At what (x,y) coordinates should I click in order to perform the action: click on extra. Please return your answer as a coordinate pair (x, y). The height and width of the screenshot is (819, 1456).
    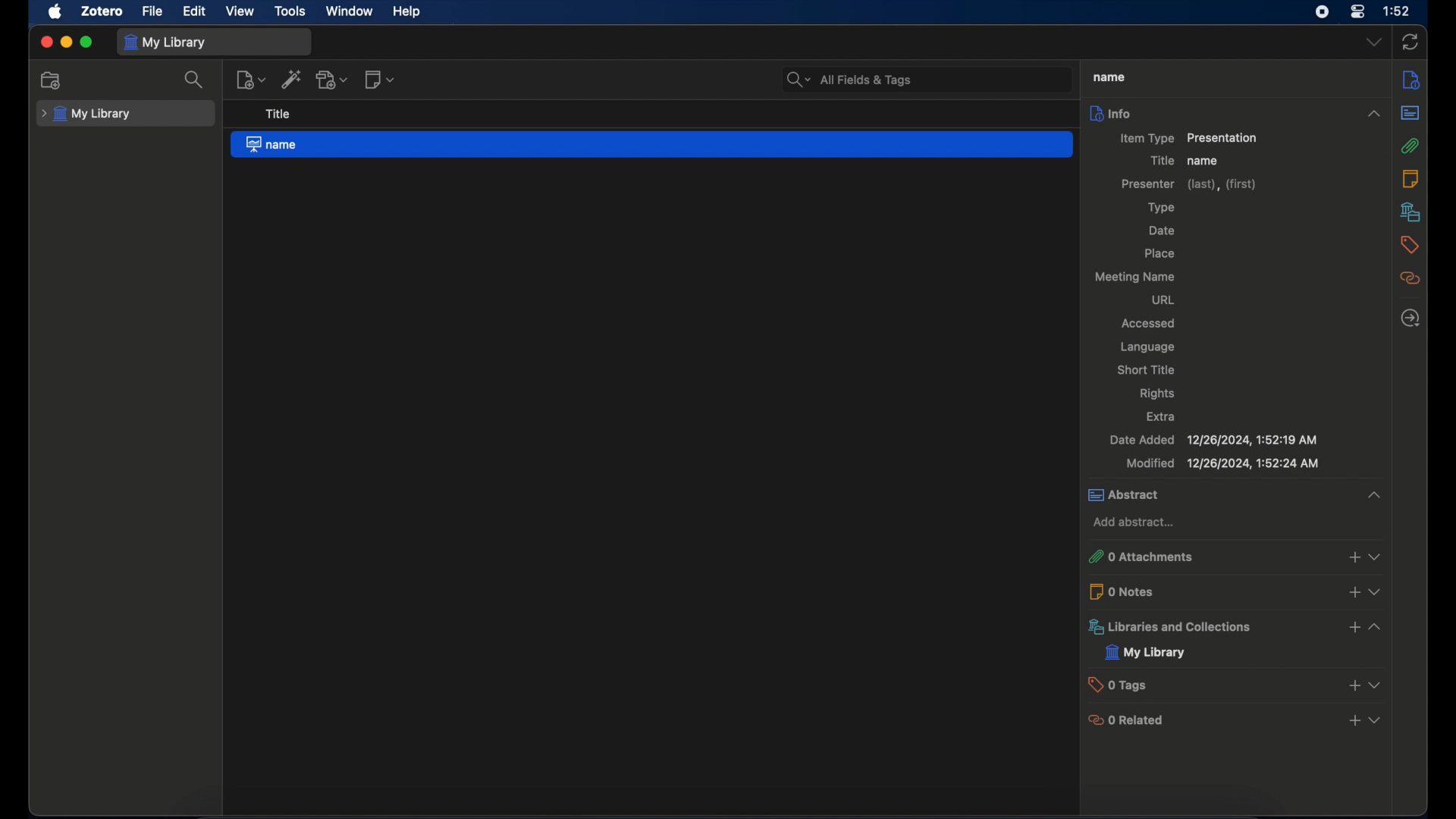
    Looking at the image, I should click on (1162, 416).